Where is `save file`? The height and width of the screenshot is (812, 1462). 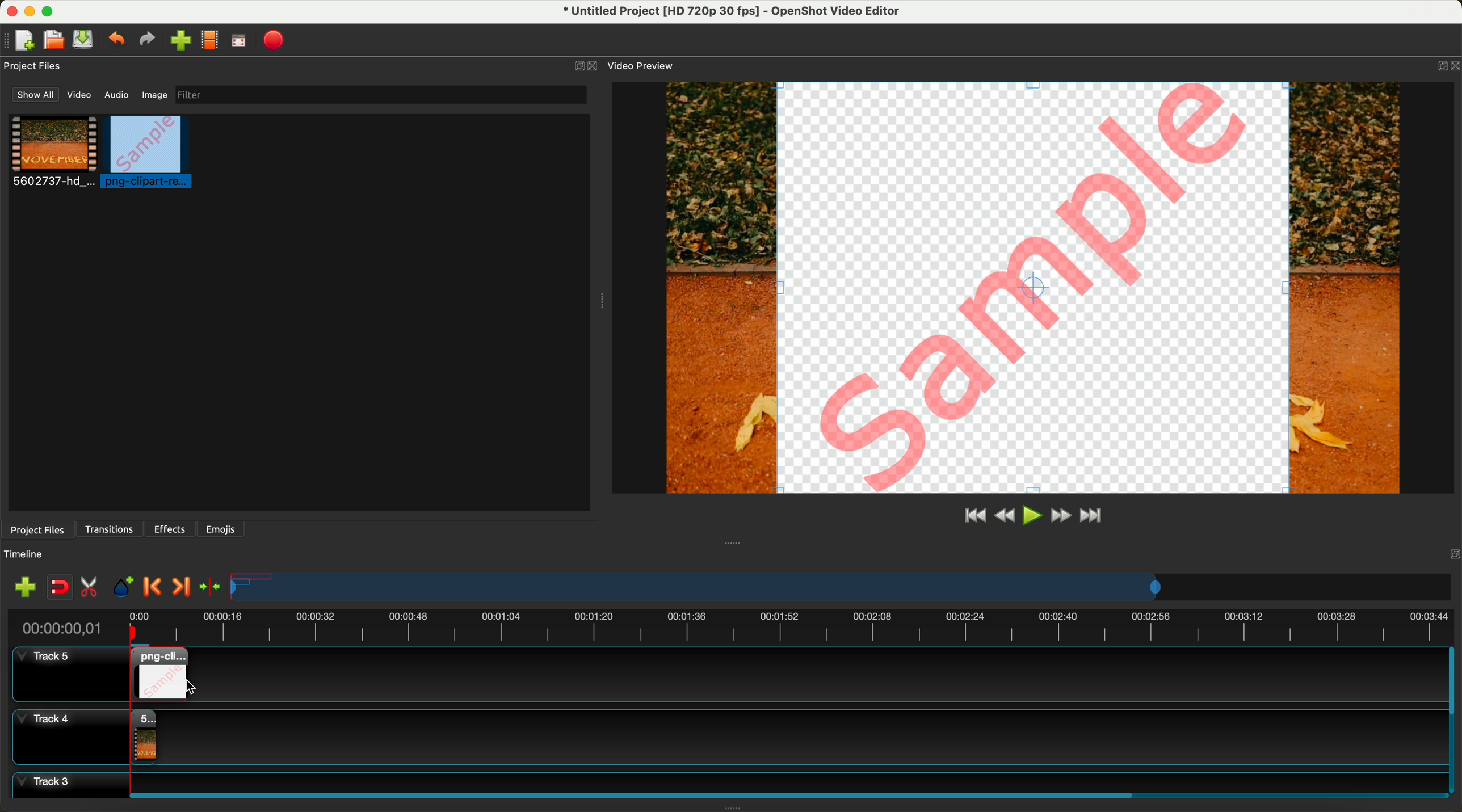 save file is located at coordinates (85, 40).